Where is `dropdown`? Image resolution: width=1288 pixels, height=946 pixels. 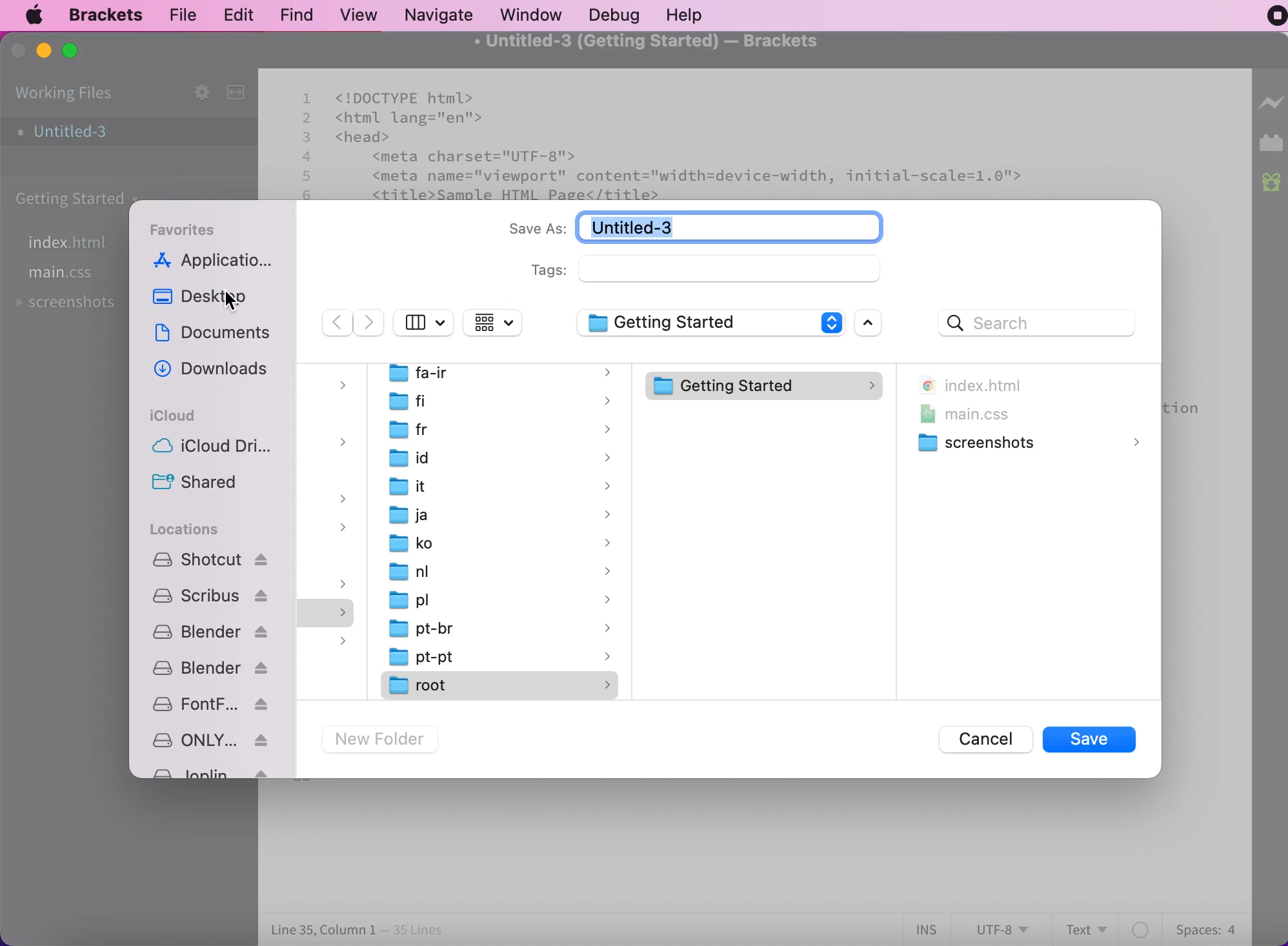 dropdown is located at coordinates (343, 641).